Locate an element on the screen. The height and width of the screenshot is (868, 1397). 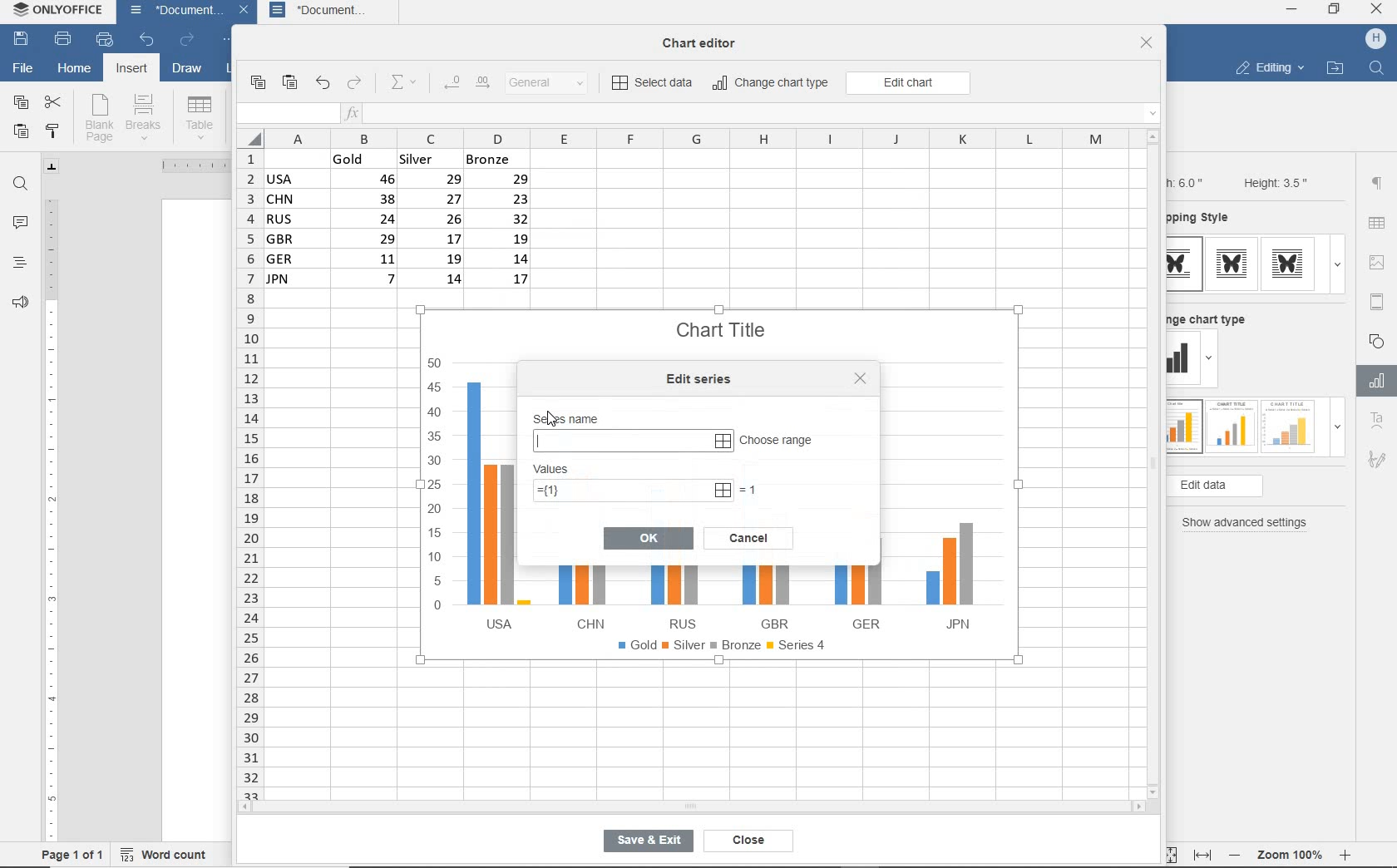
change type is located at coordinates (1183, 359).